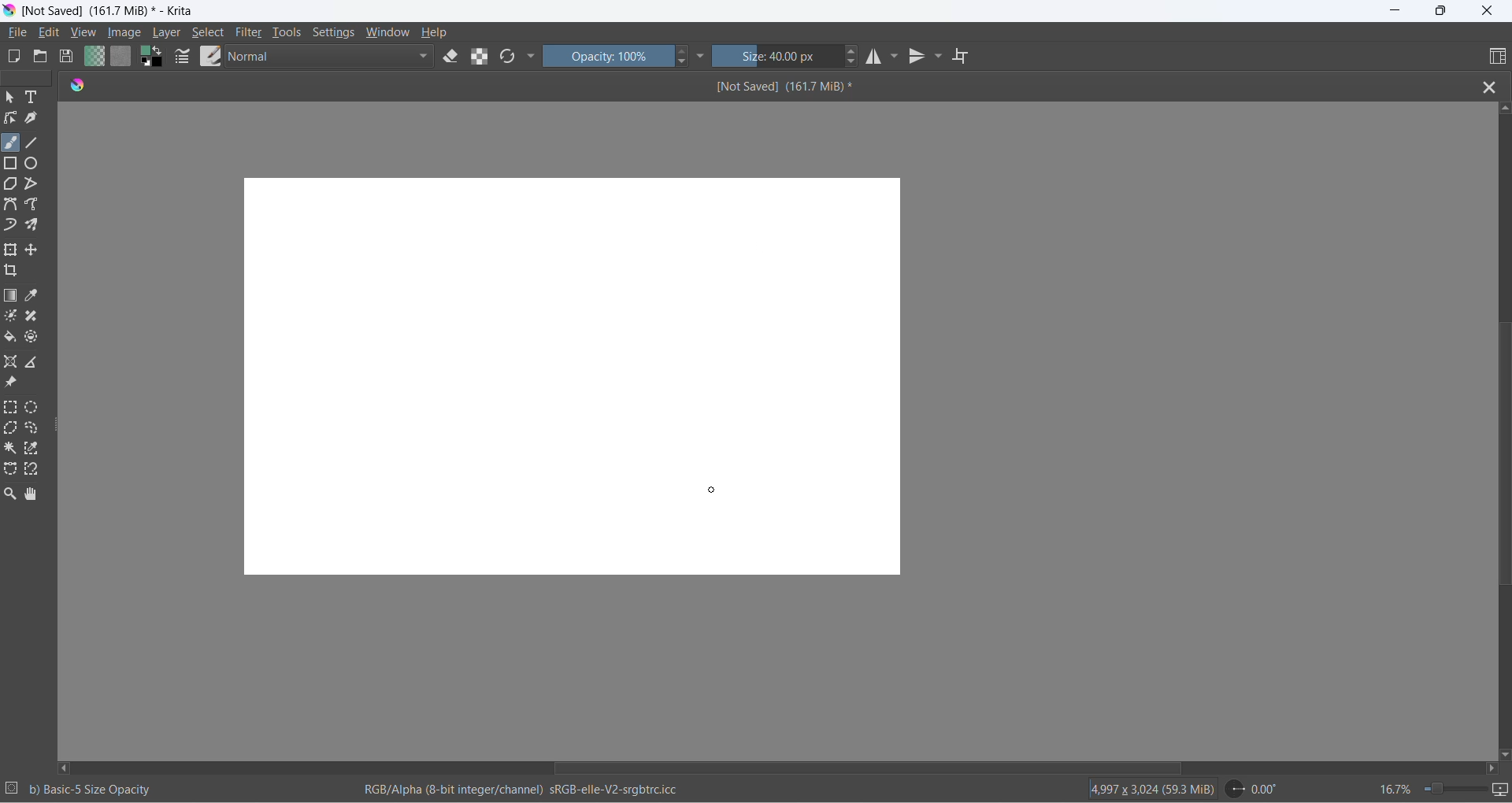  I want to click on minimize, so click(1396, 12).